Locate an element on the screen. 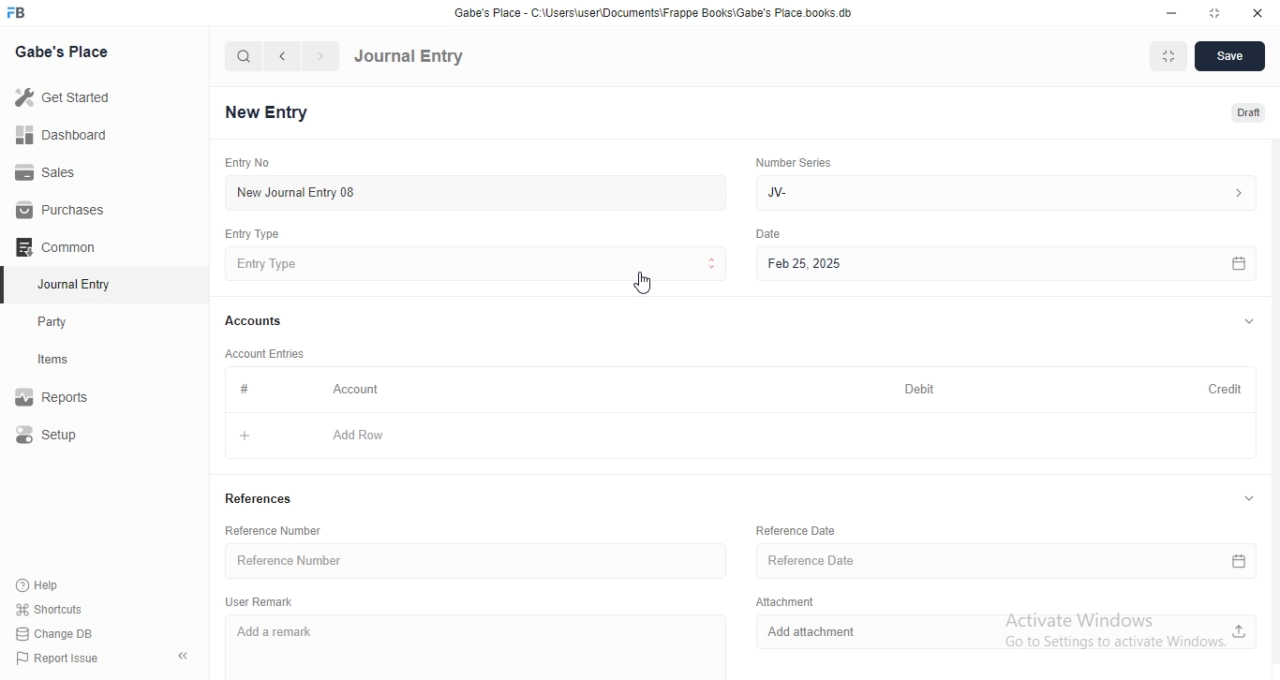 The image size is (1280, 680). Setup is located at coordinates (68, 436).